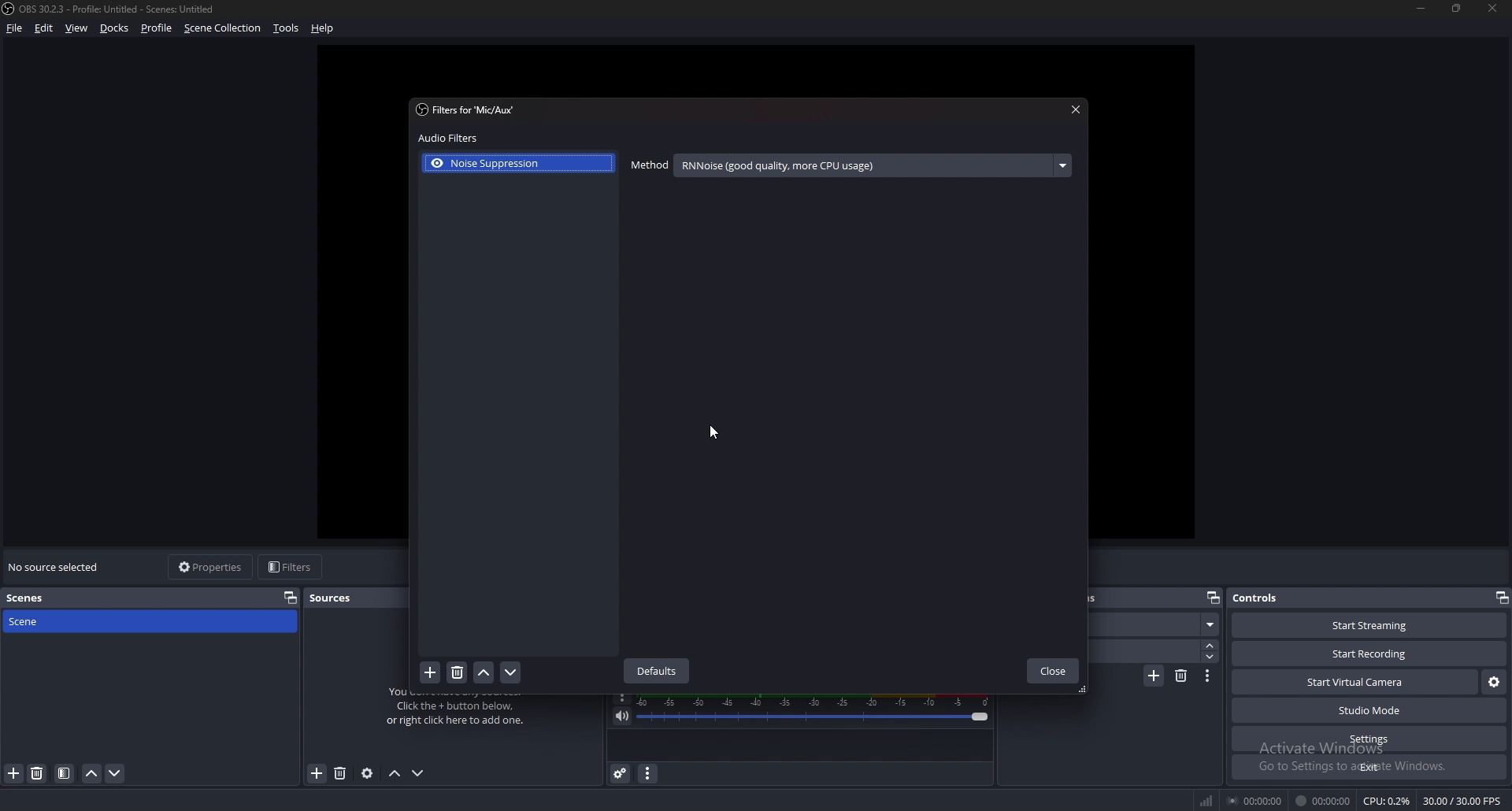 This screenshot has width=1512, height=811. Describe the element at coordinates (44, 28) in the screenshot. I see `edit` at that location.